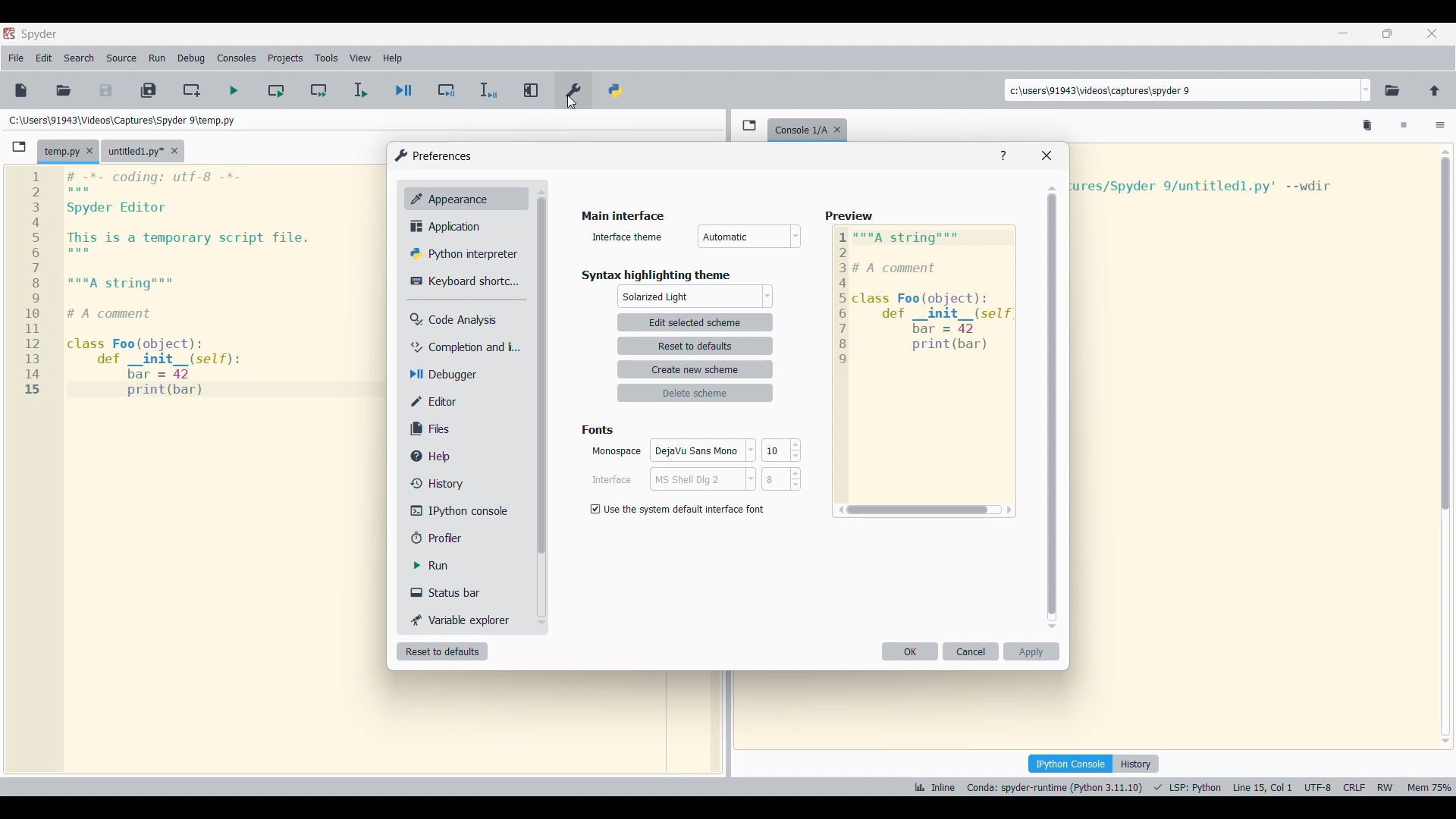  Describe the element at coordinates (467, 620) in the screenshot. I see `Variable explorer` at that location.